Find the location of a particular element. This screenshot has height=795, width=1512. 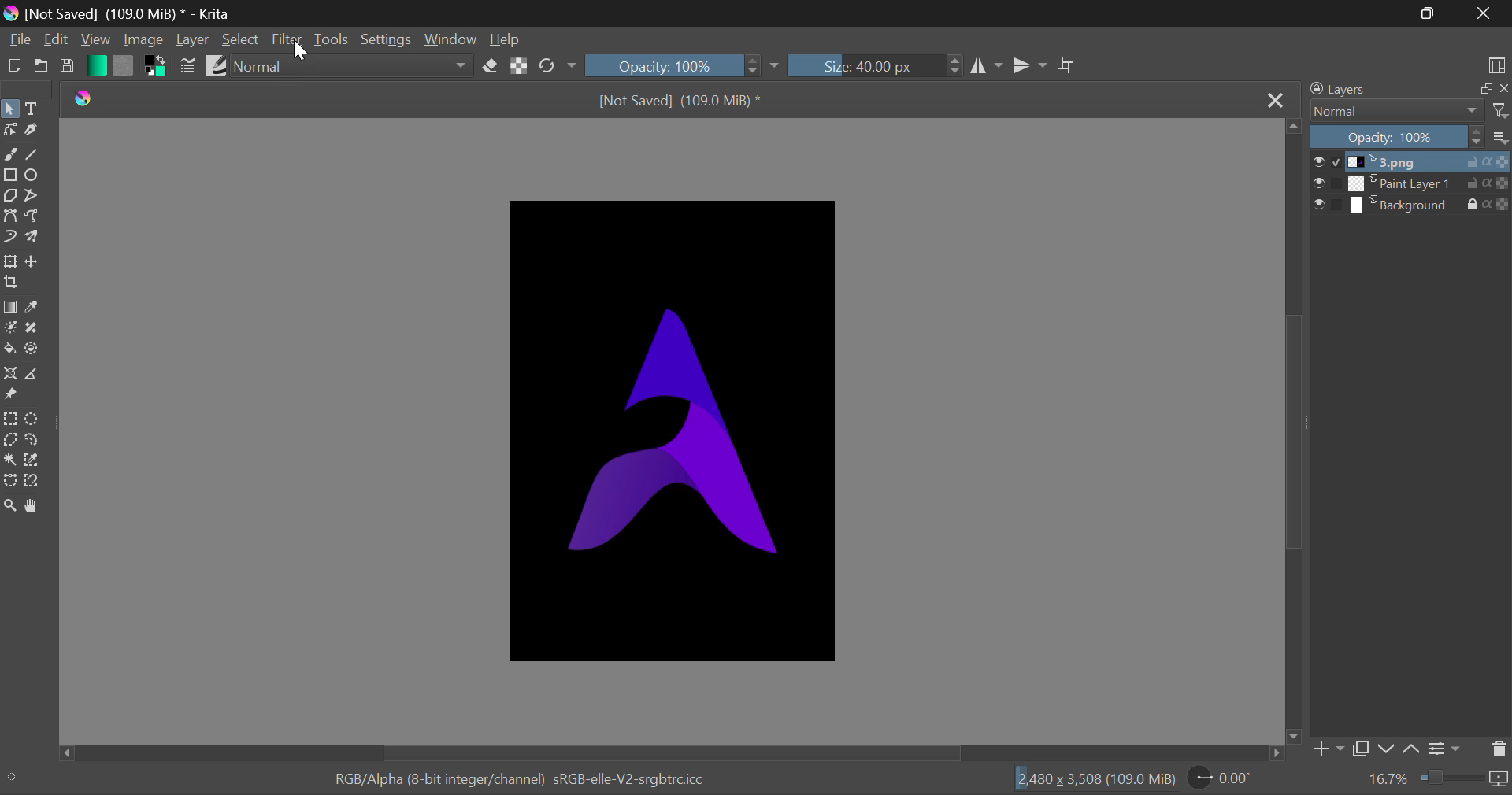

Pan is located at coordinates (38, 506).